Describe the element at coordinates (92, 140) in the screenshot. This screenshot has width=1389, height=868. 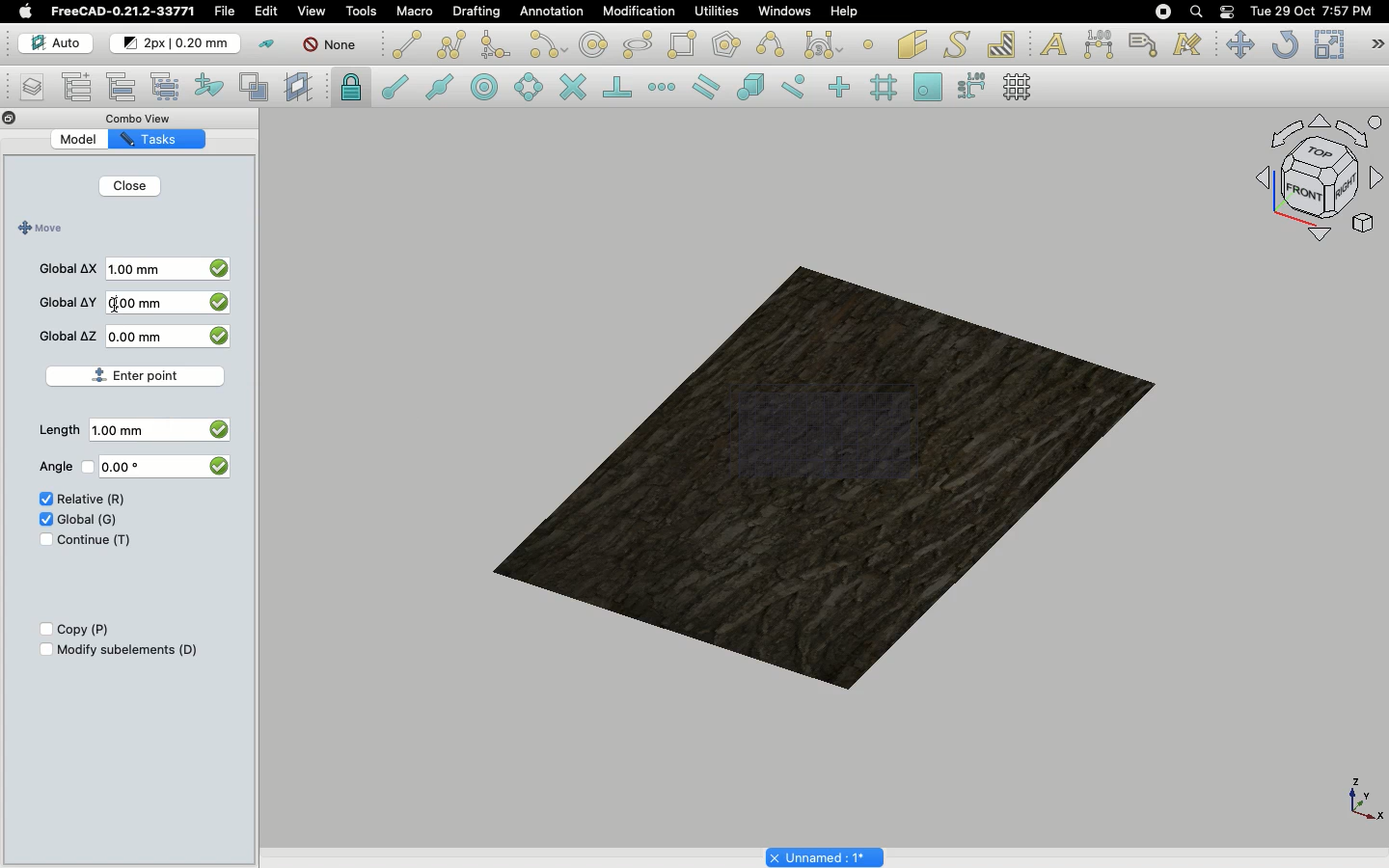
I see `Model` at that location.